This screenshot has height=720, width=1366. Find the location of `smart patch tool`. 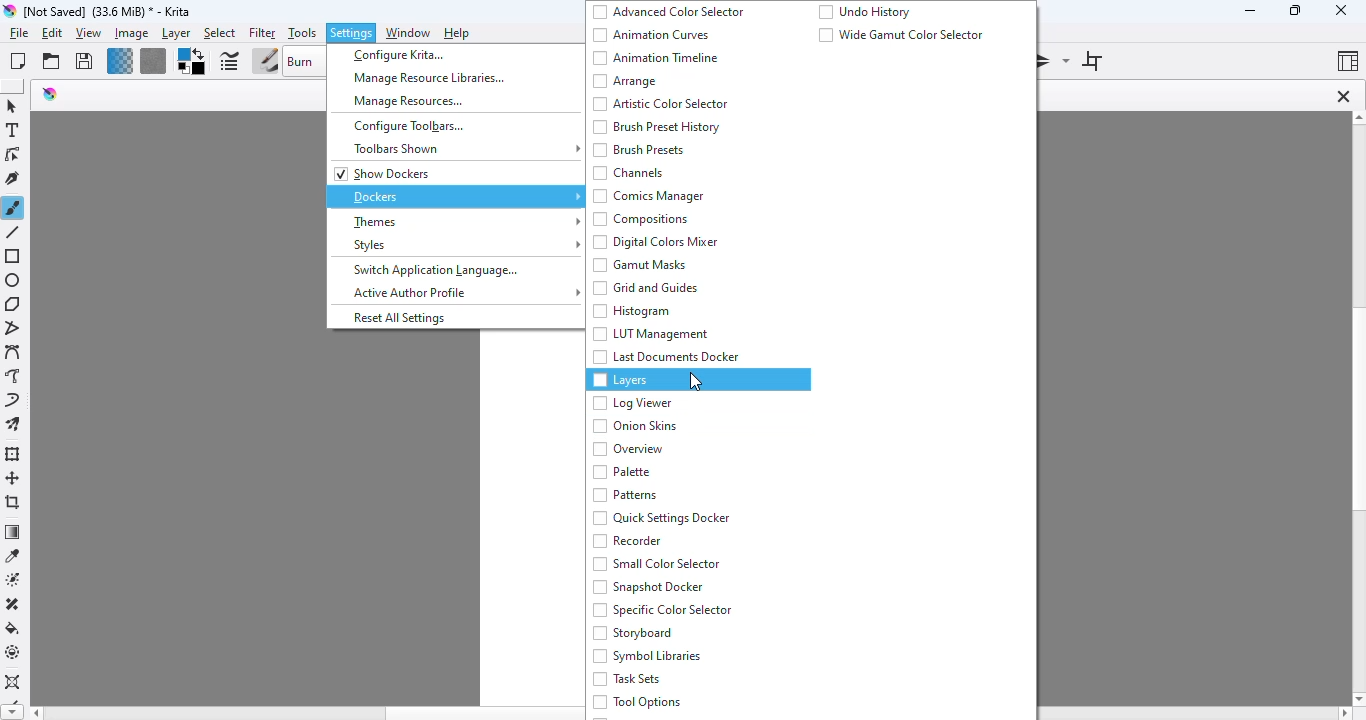

smart patch tool is located at coordinates (13, 604).